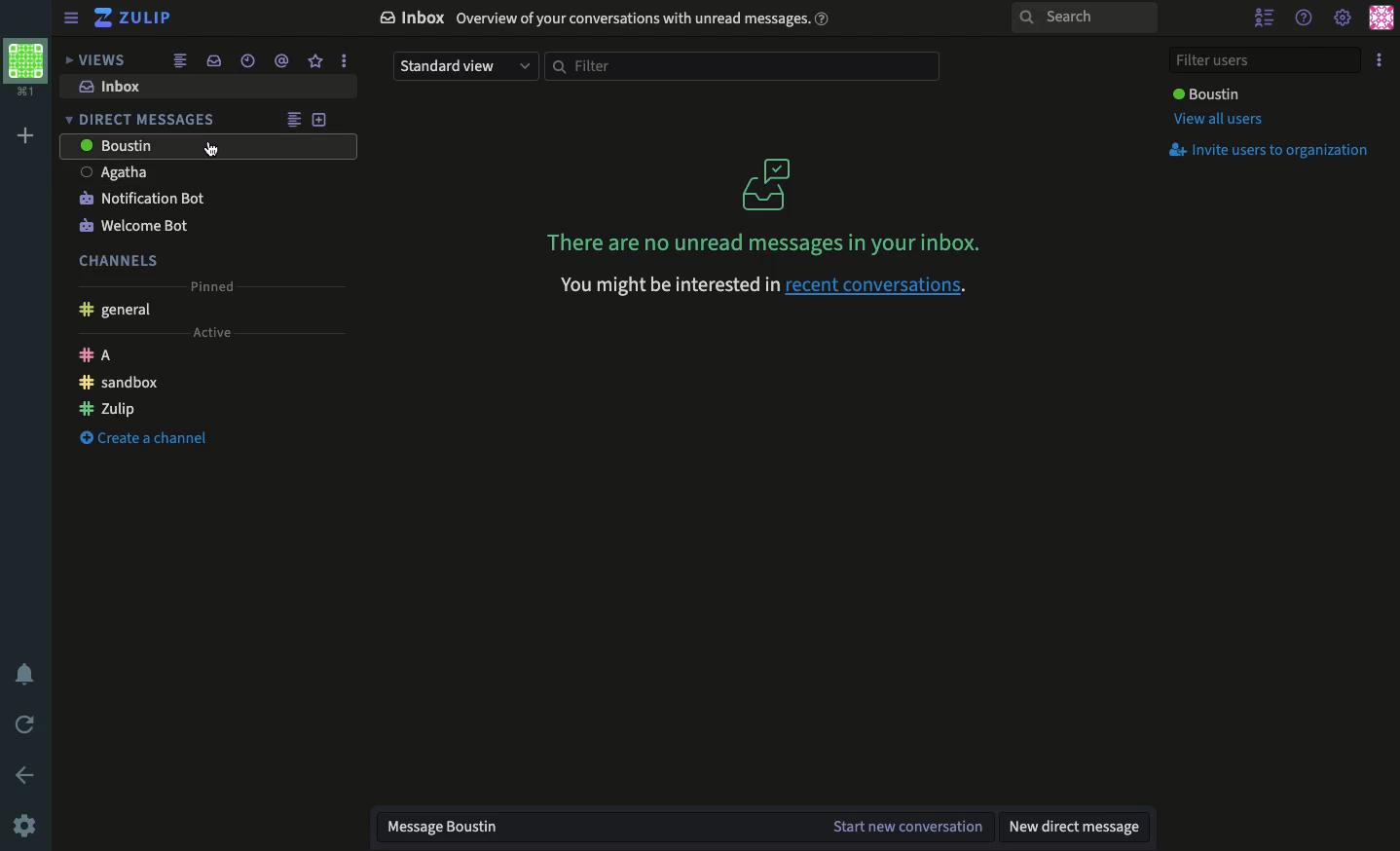  Describe the element at coordinates (21, 137) in the screenshot. I see `Add` at that location.